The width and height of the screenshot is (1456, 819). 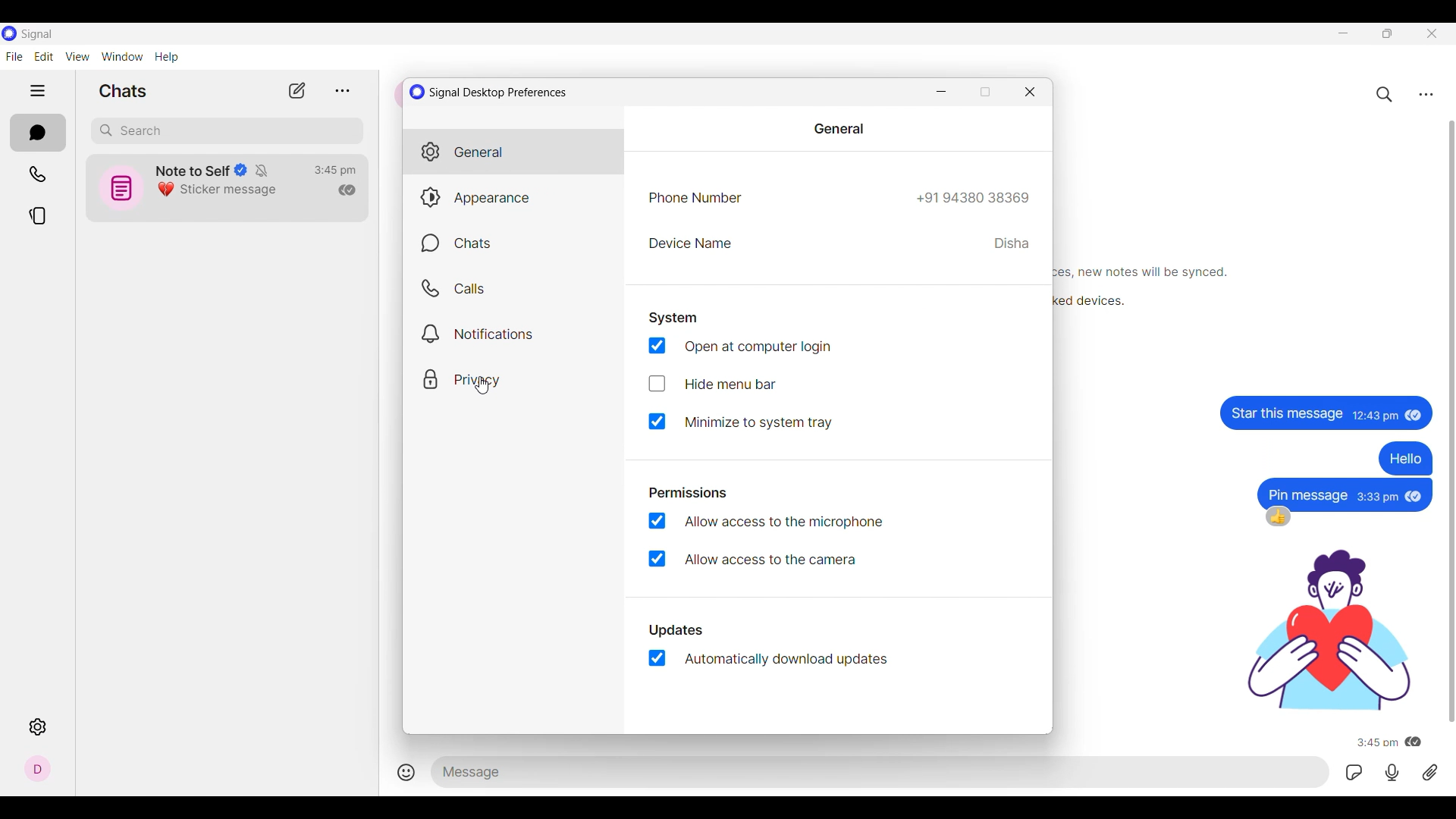 I want to click on Toggle for automatically download updates, current selection, so click(x=767, y=658).